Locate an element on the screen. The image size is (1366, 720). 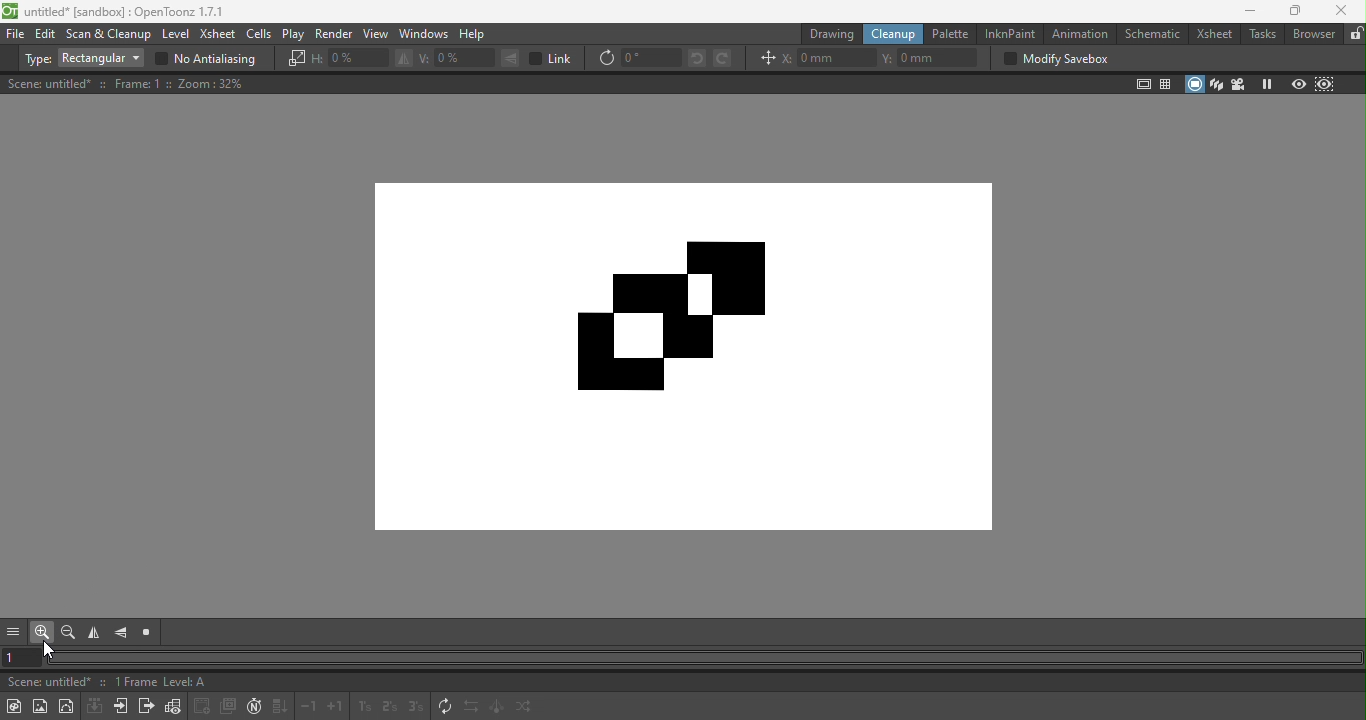
Horizontal scroll bar is located at coordinates (704, 658).